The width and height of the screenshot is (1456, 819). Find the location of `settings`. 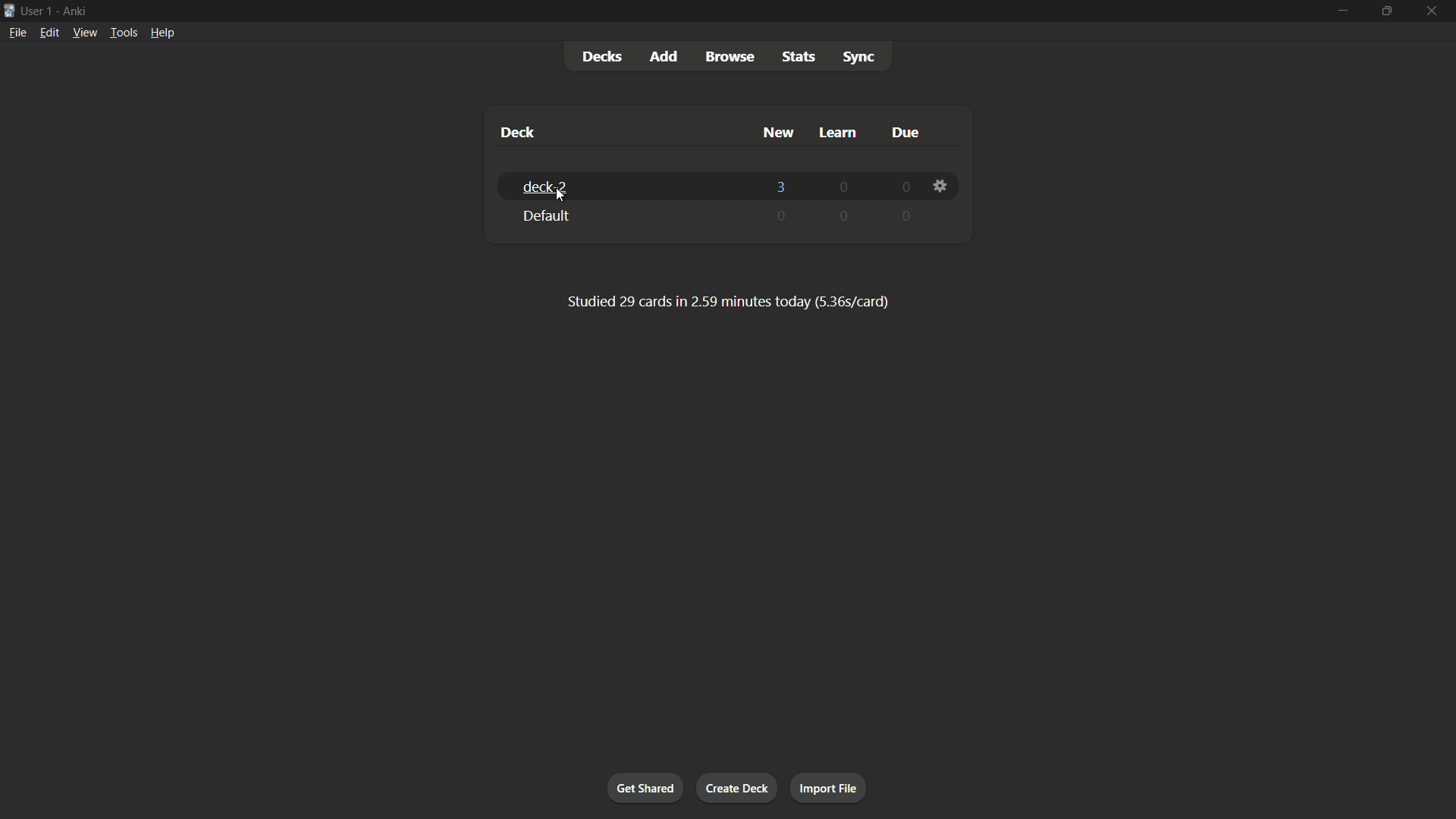

settings is located at coordinates (943, 187).